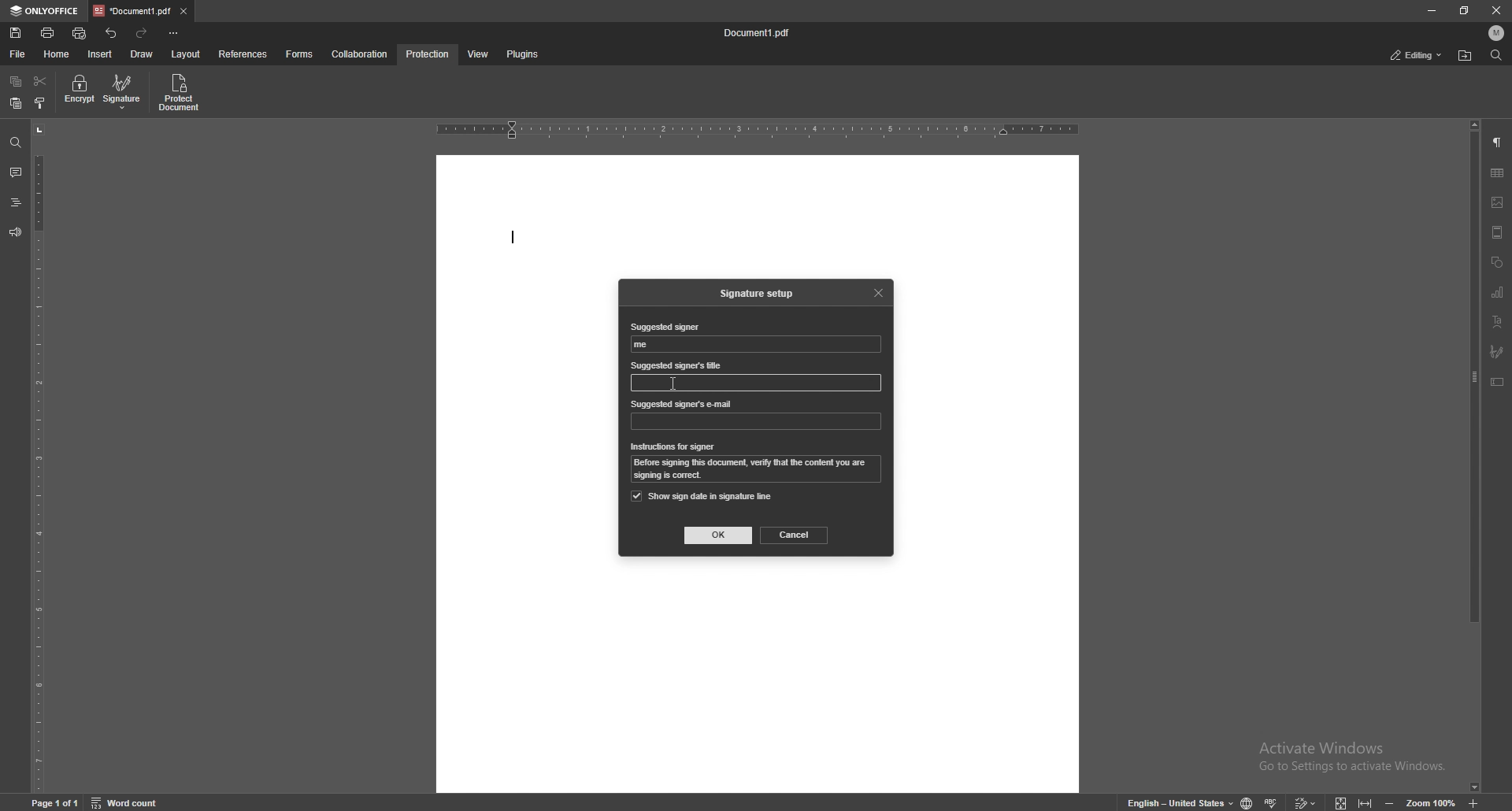 The width and height of the screenshot is (1512, 811). I want to click on forms, so click(301, 54).